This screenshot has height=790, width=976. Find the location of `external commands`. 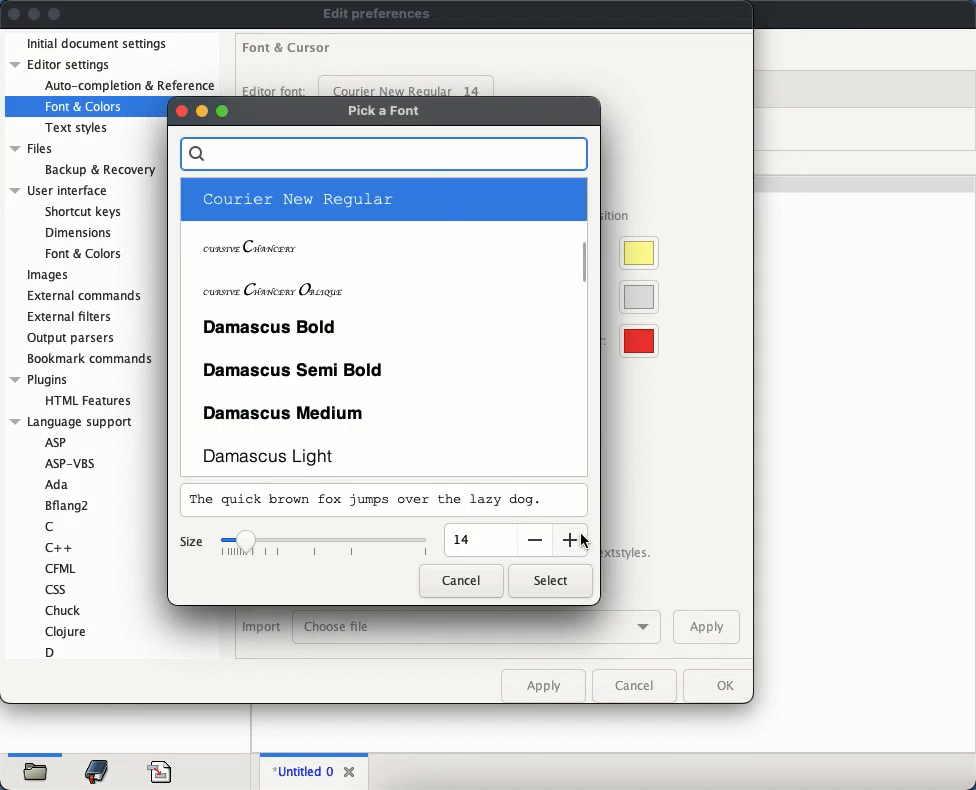

external commands is located at coordinates (87, 294).